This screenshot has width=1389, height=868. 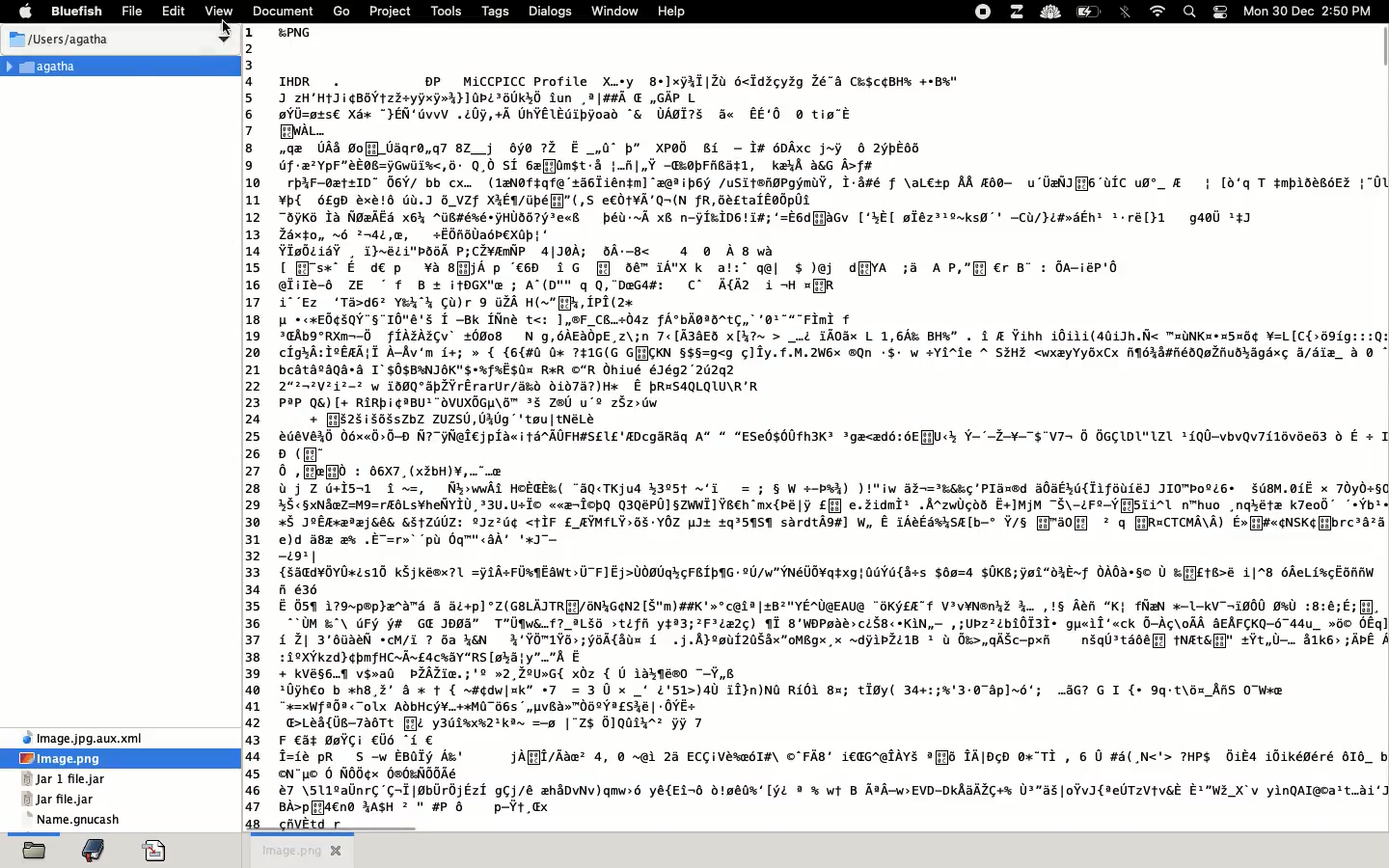 I want to click on jar 1 file jar, so click(x=67, y=779).